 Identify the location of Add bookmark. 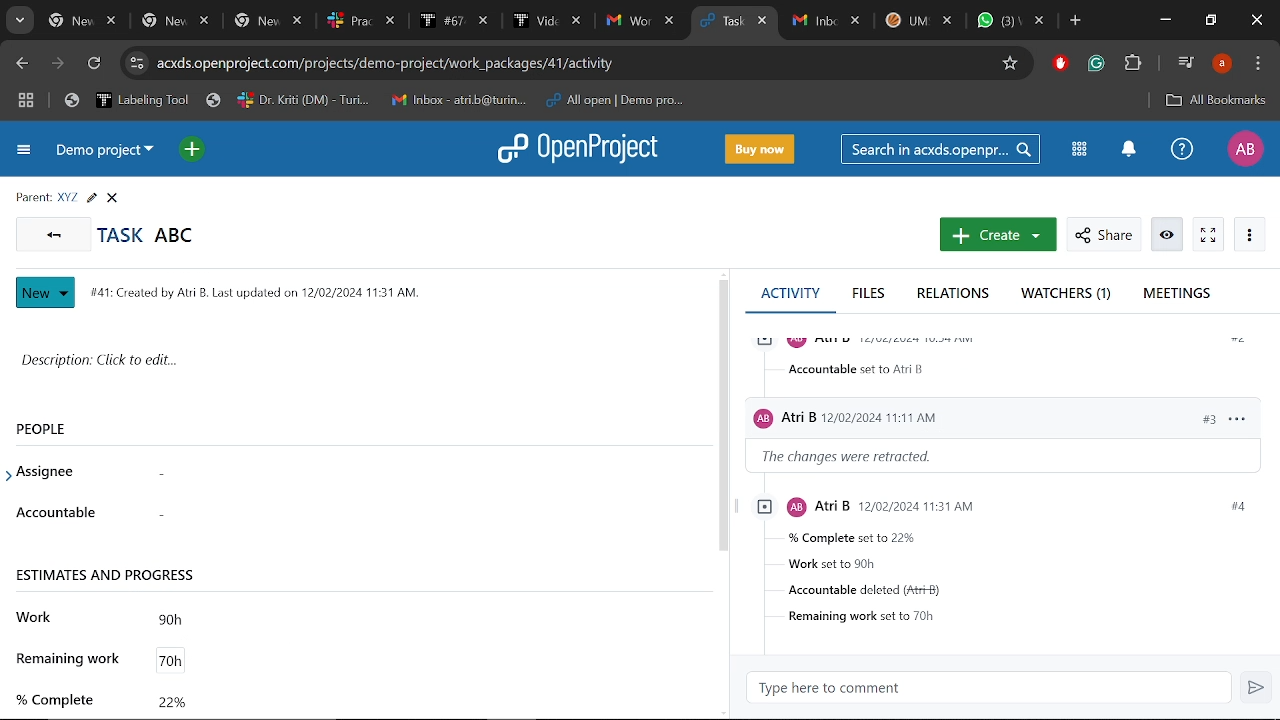
(1215, 100).